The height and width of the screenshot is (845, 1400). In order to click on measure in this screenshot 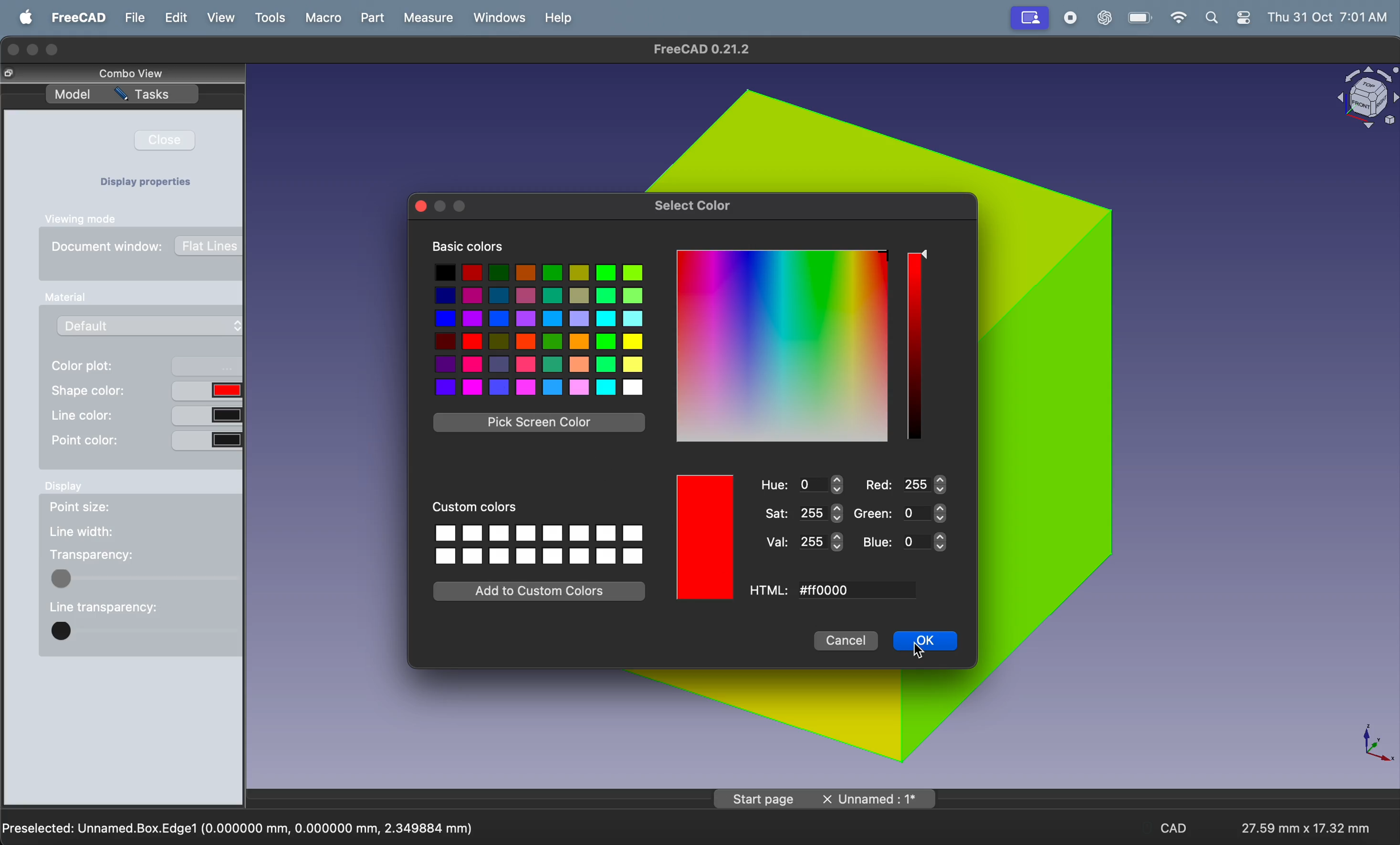, I will do `click(427, 19)`.